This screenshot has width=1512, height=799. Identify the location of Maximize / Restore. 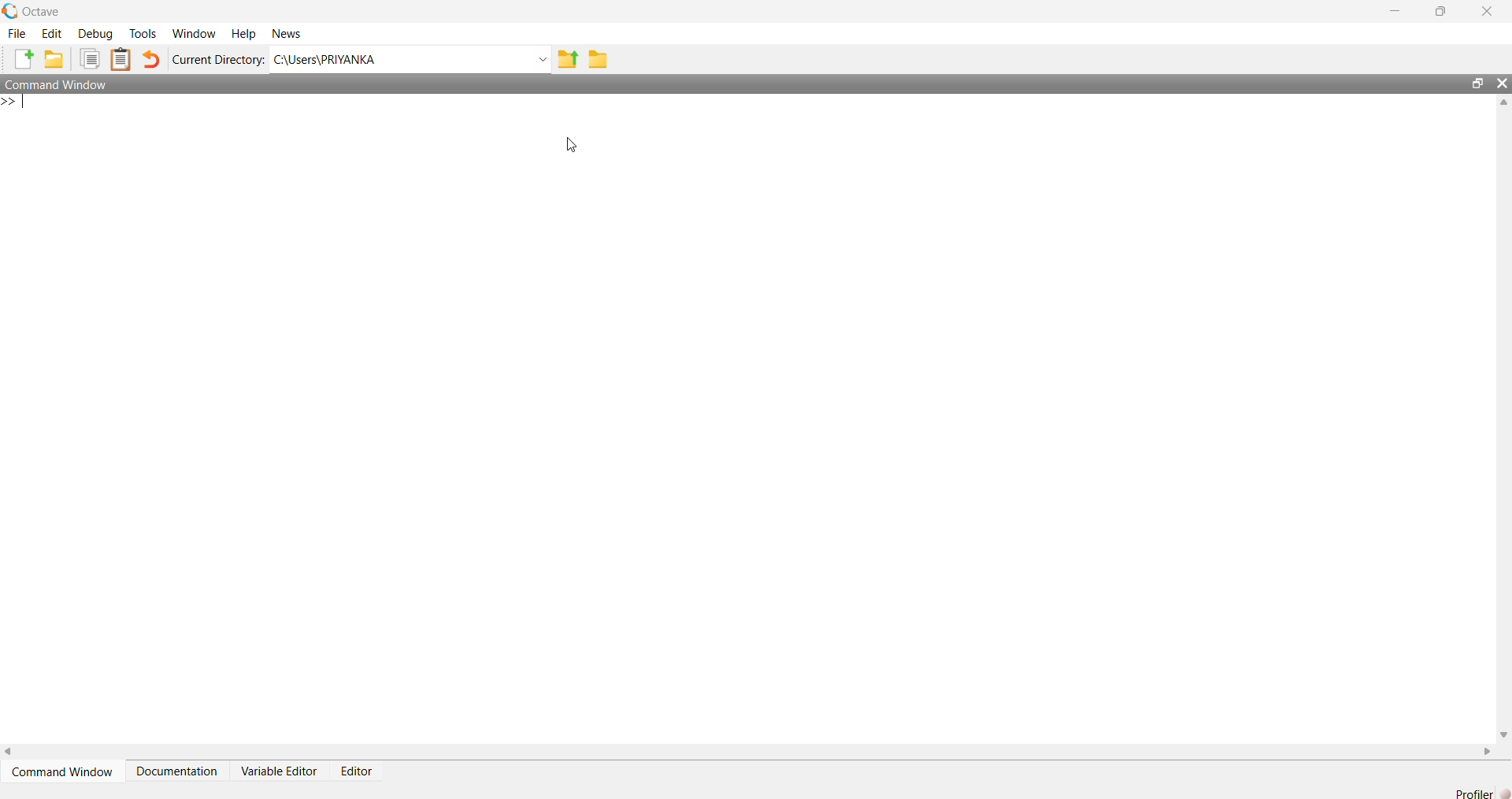
(1444, 13).